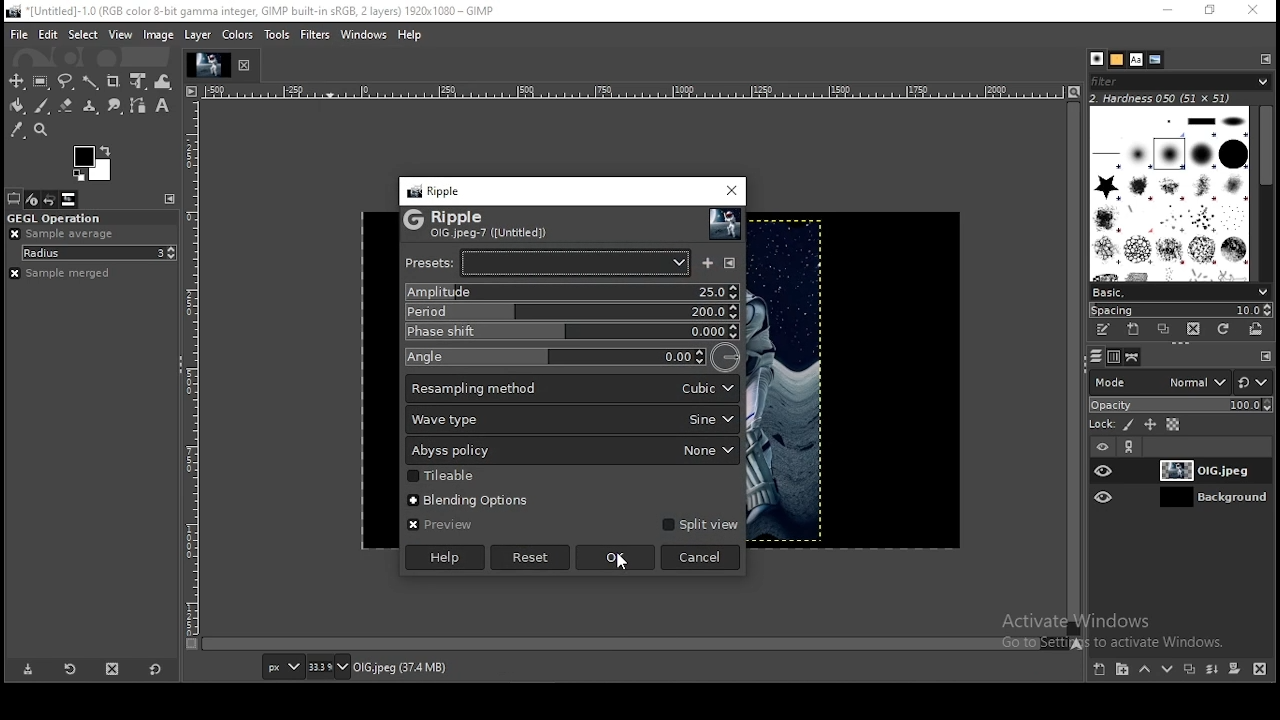 This screenshot has height=720, width=1280. Describe the element at coordinates (1125, 669) in the screenshot. I see `create a new layer group` at that location.